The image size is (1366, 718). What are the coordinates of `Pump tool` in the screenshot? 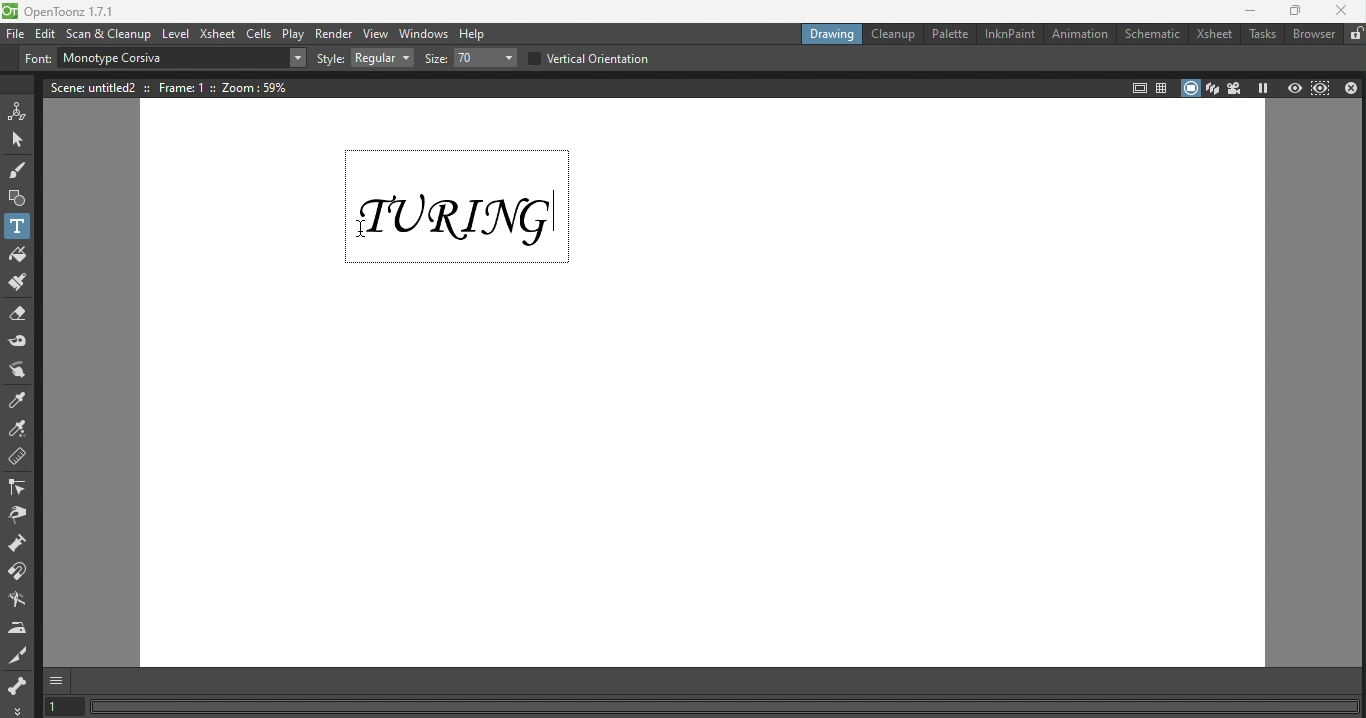 It's located at (22, 546).